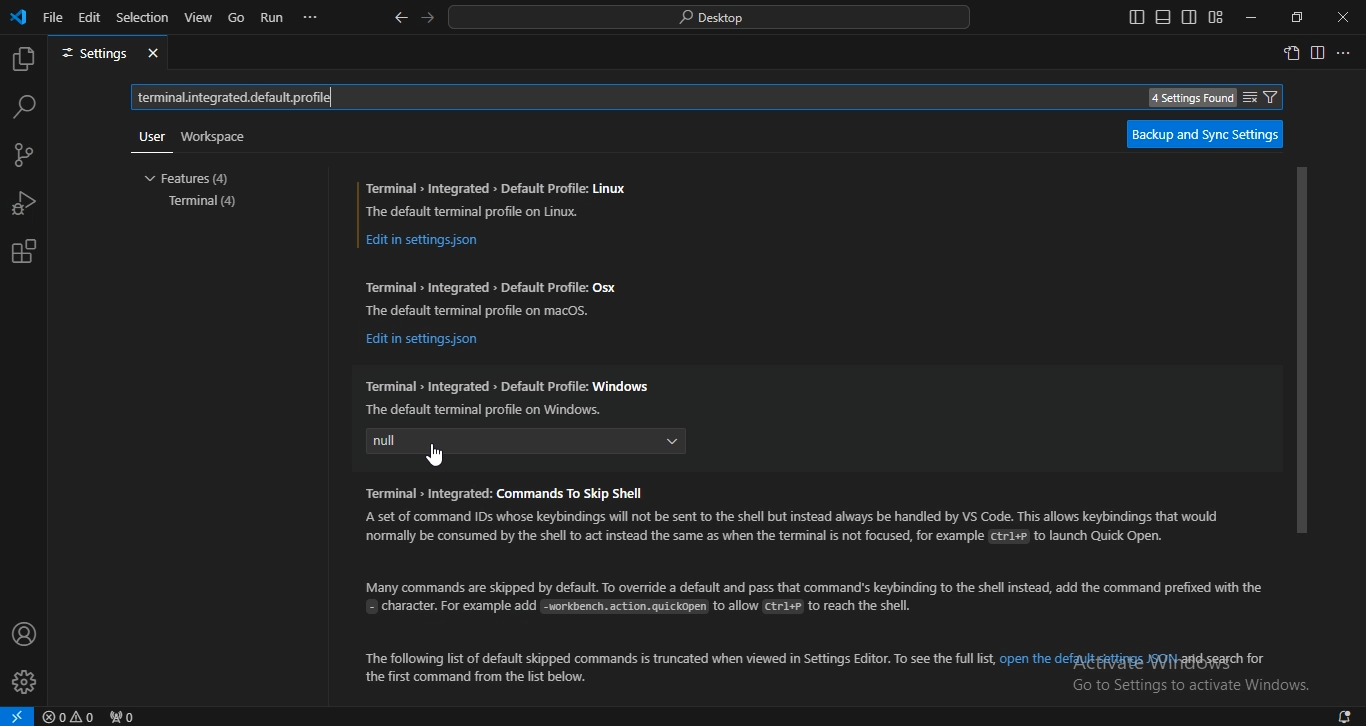 The height and width of the screenshot is (726, 1366). Describe the element at coordinates (25, 251) in the screenshot. I see `extension` at that location.